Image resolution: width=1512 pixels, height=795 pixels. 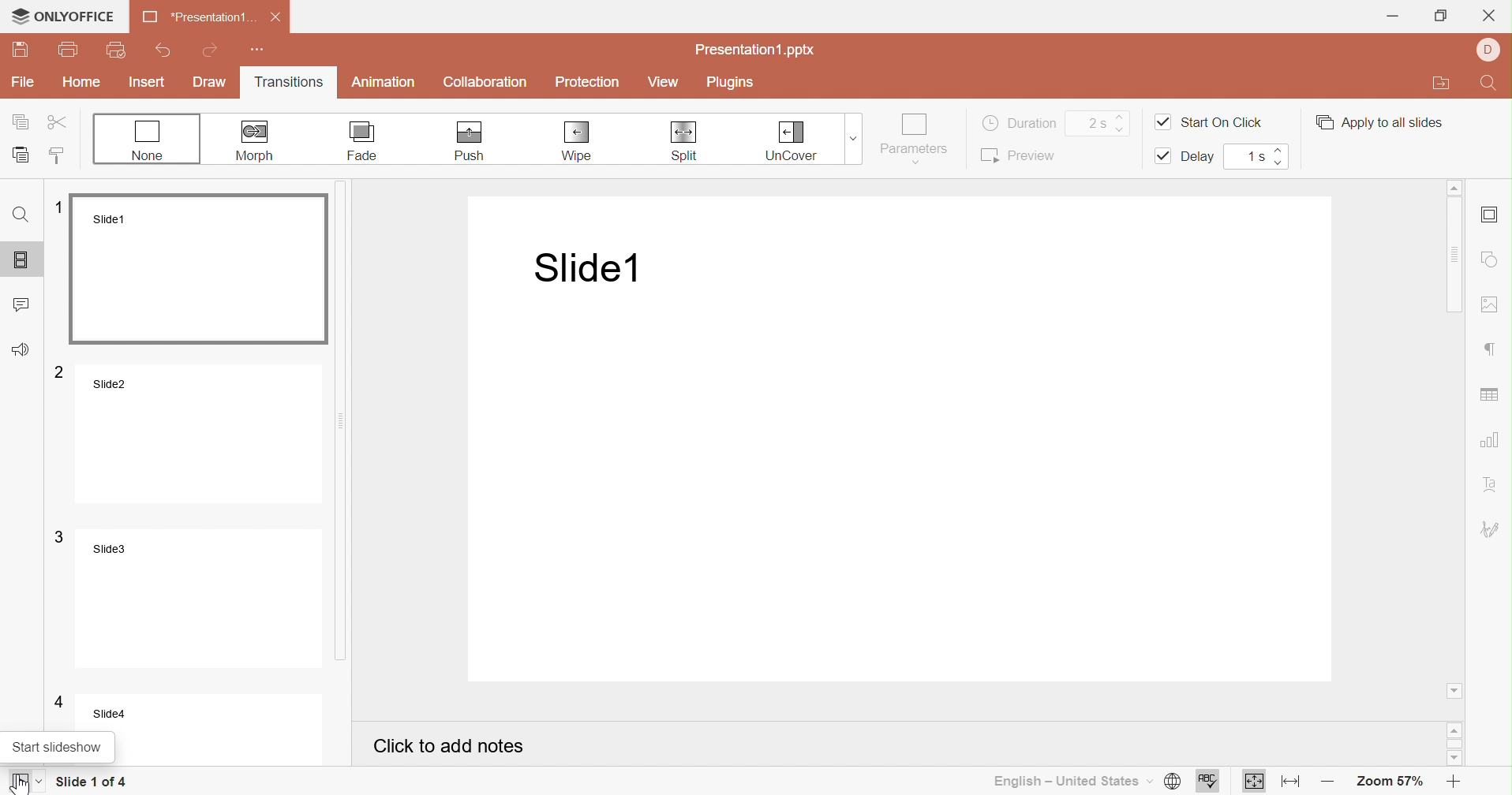 I want to click on Delay, so click(x=1185, y=160).